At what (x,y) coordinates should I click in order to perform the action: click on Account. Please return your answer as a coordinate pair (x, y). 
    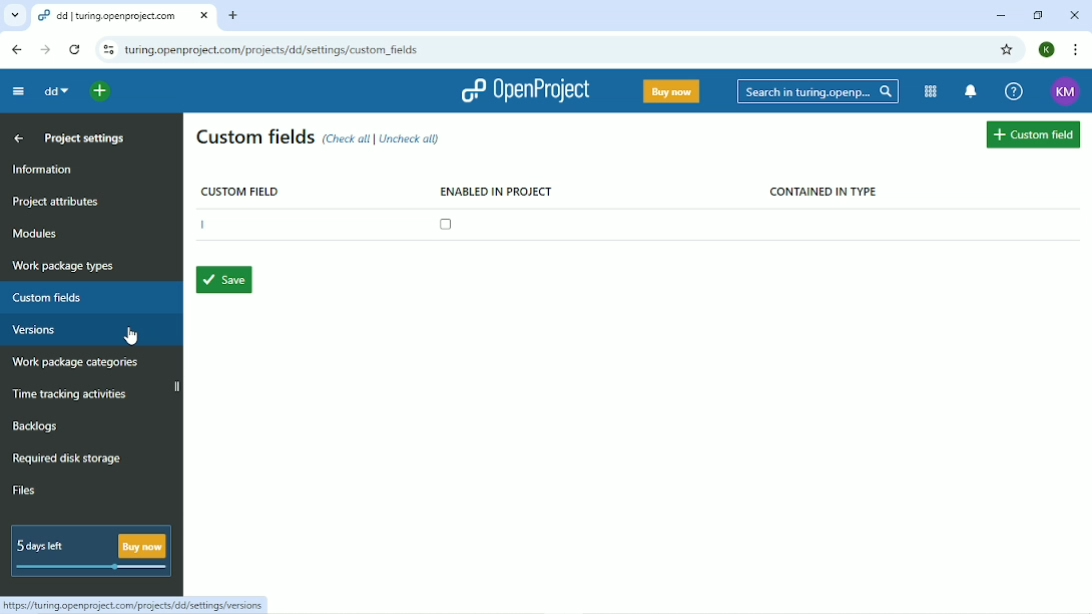
    Looking at the image, I should click on (1066, 92).